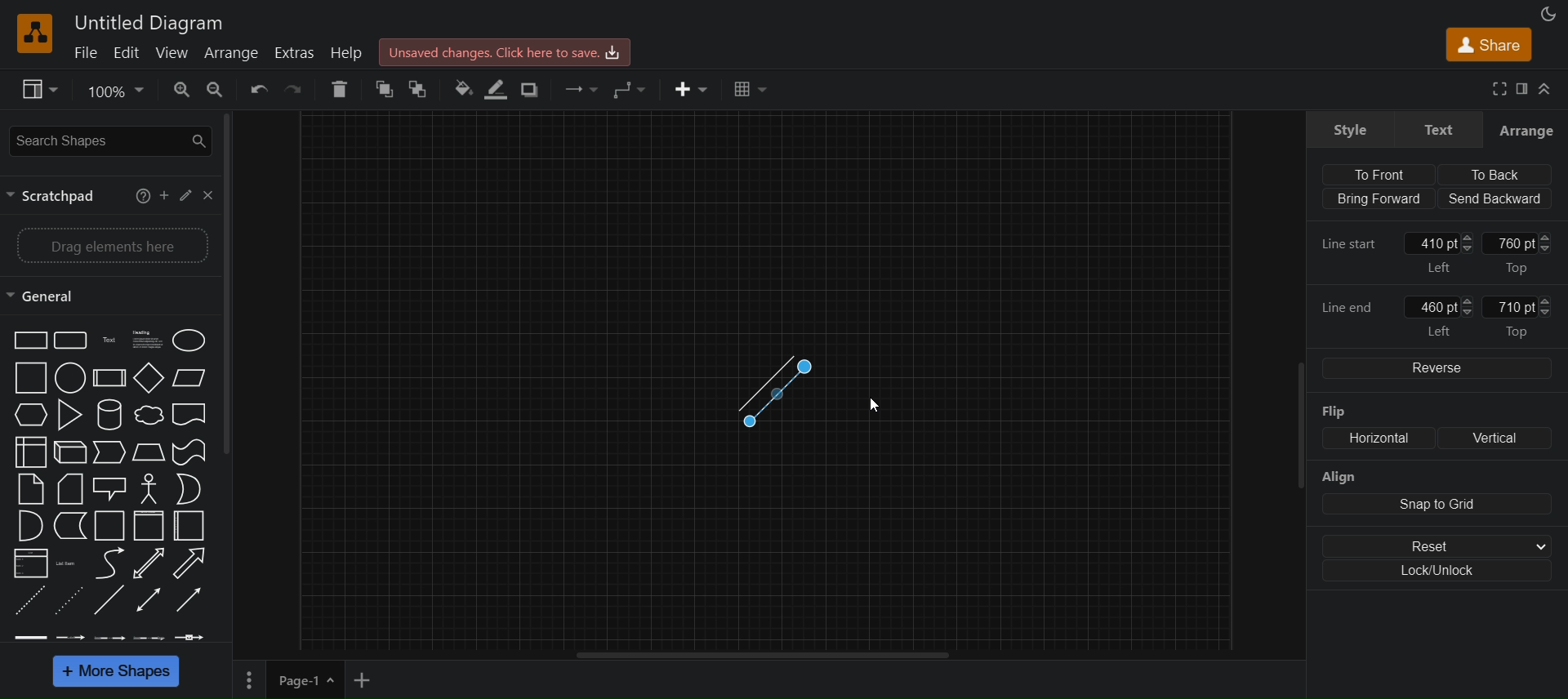 This screenshot has height=699, width=1568. Describe the element at coordinates (771, 655) in the screenshot. I see `horizontal scroll bar` at that location.